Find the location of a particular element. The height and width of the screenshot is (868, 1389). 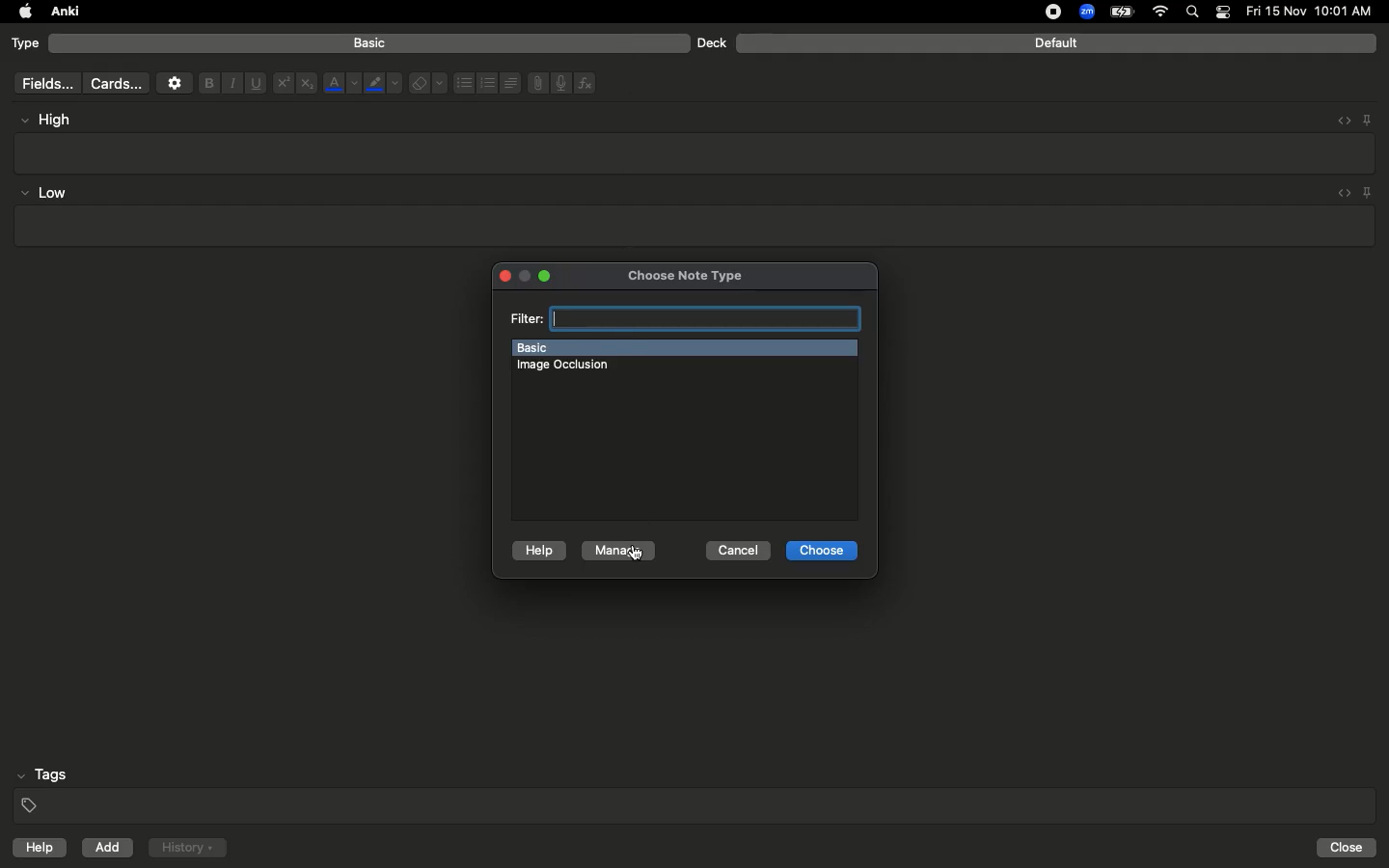

Bold is located at coordinates (207, 82).